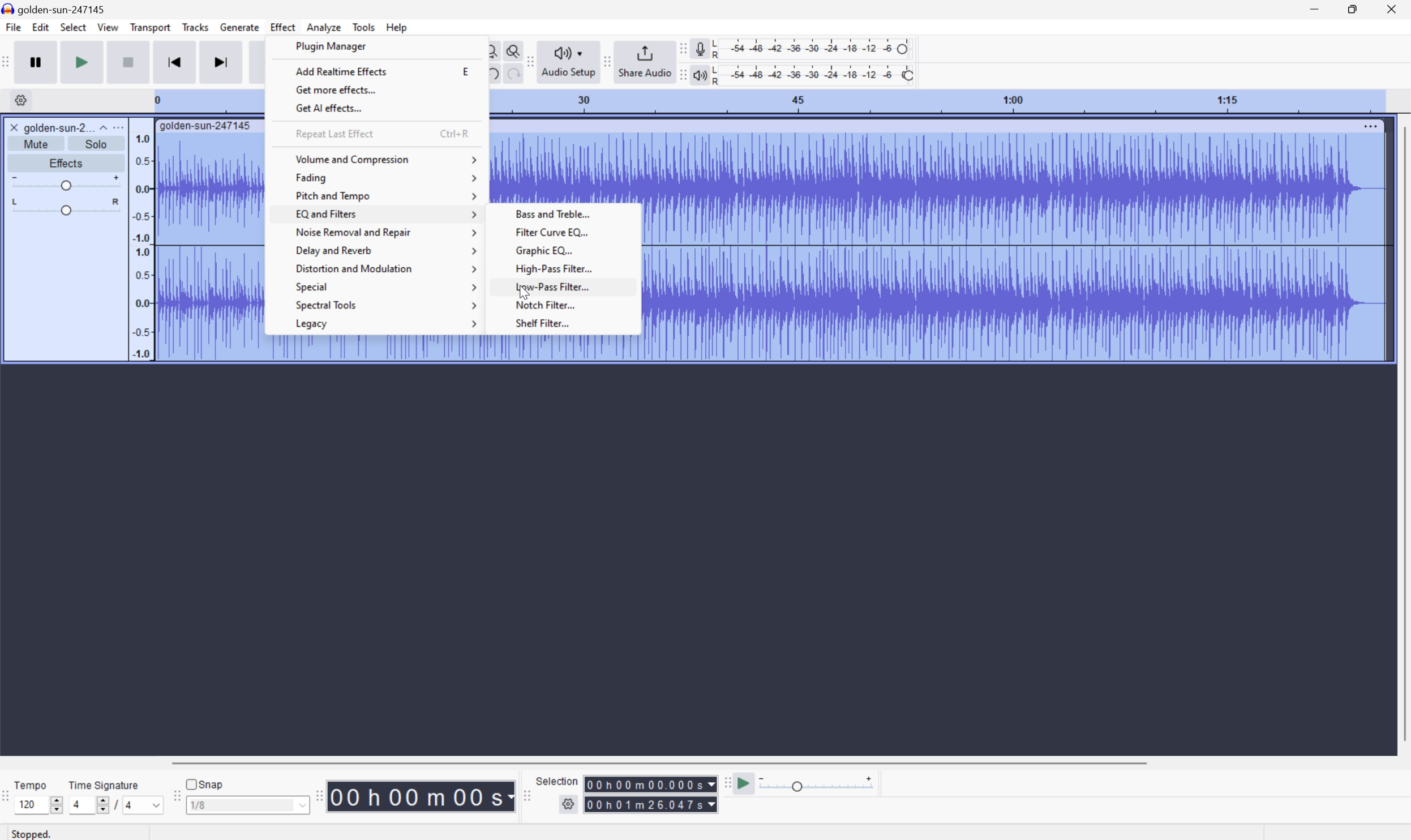  What do you see at coordinates (117, 127) in the screenshot?
I see `More` at bounding box center [117, 127].